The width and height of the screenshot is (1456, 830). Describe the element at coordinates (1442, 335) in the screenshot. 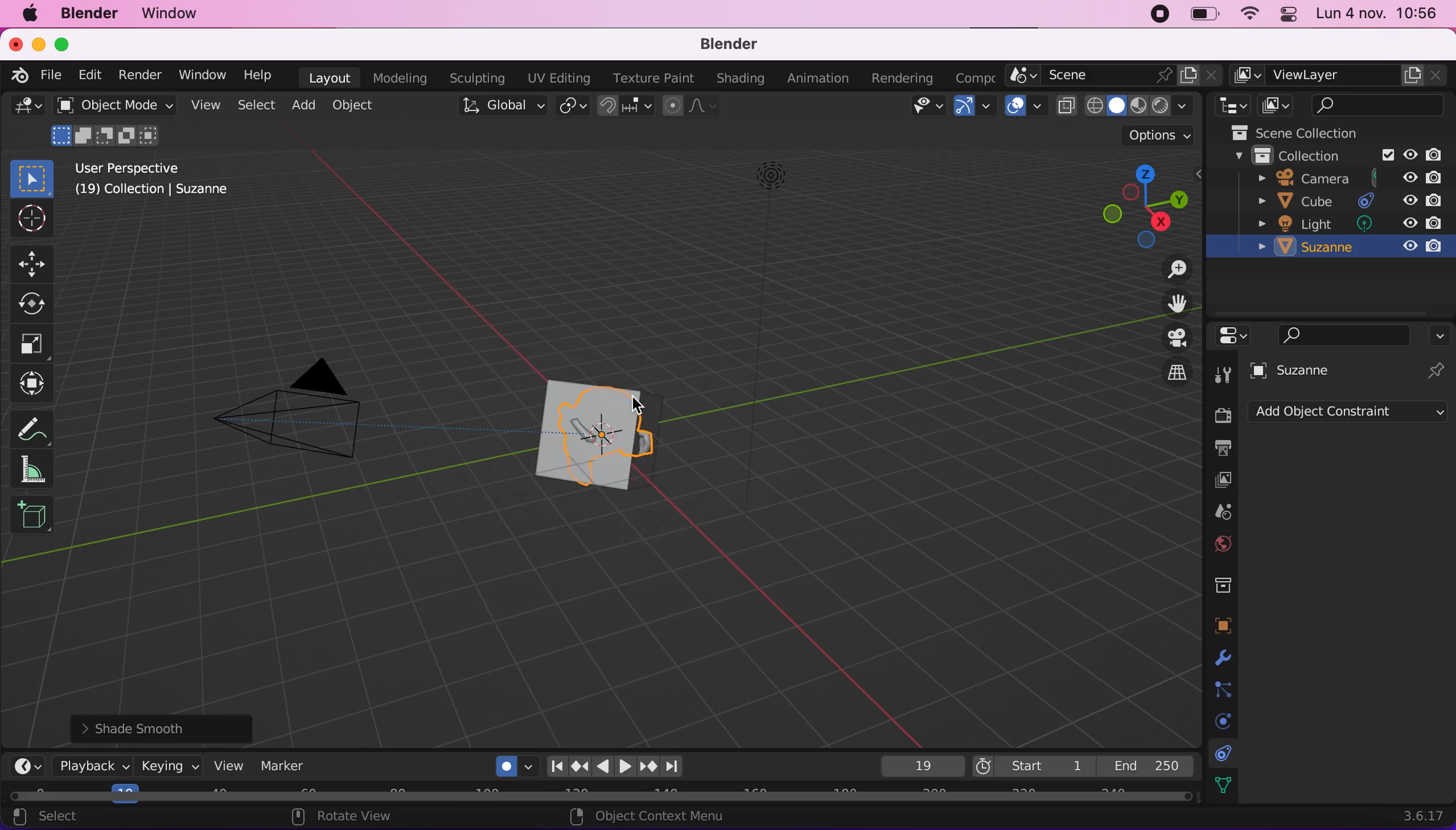

I see `options` at that location.